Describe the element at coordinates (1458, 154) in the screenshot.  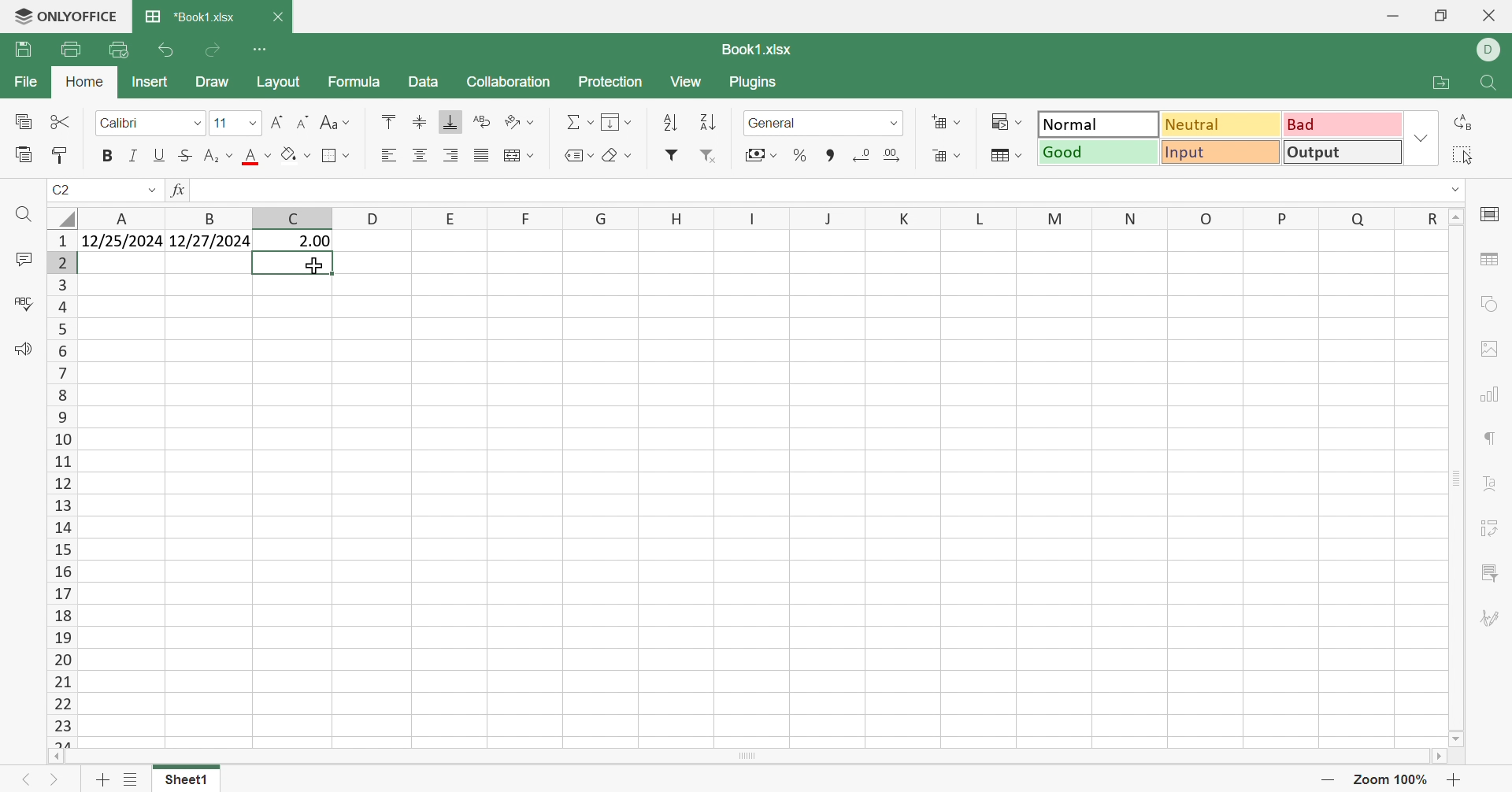
I see `Select all` at that location.